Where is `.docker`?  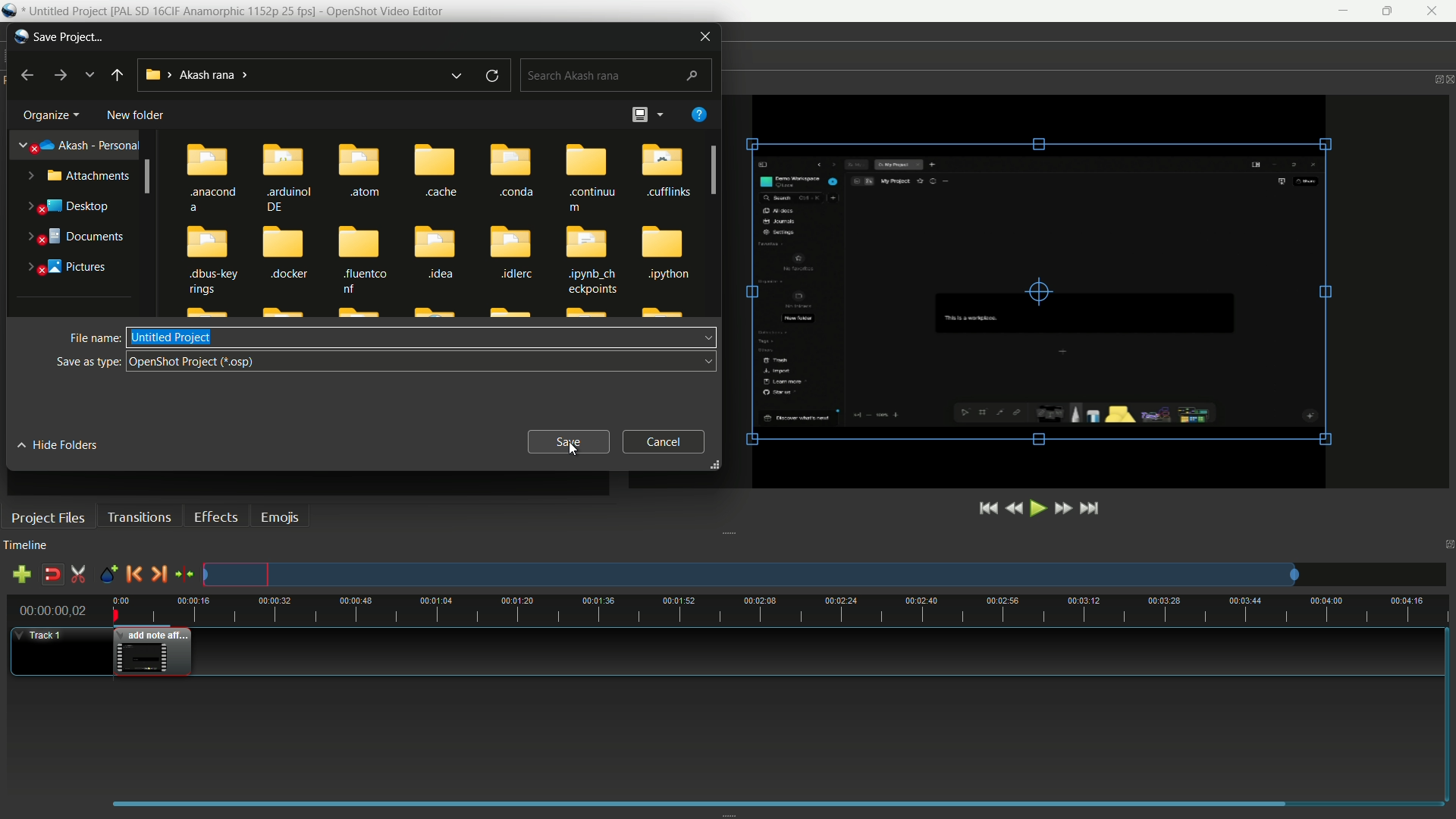
.docker is located at coordinates (287, 261).